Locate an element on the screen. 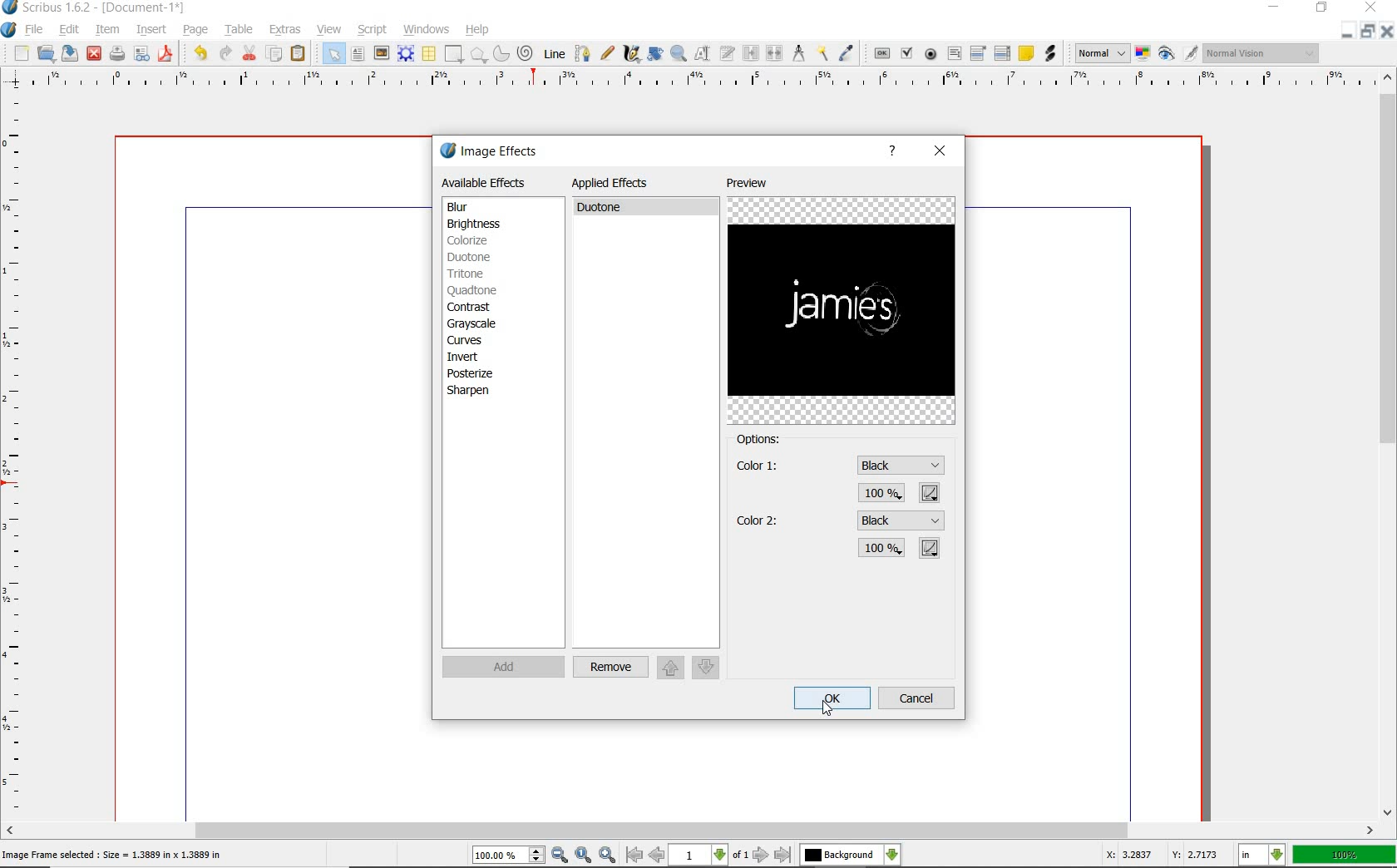  RESTORE is located at coordinates (1322, 8).